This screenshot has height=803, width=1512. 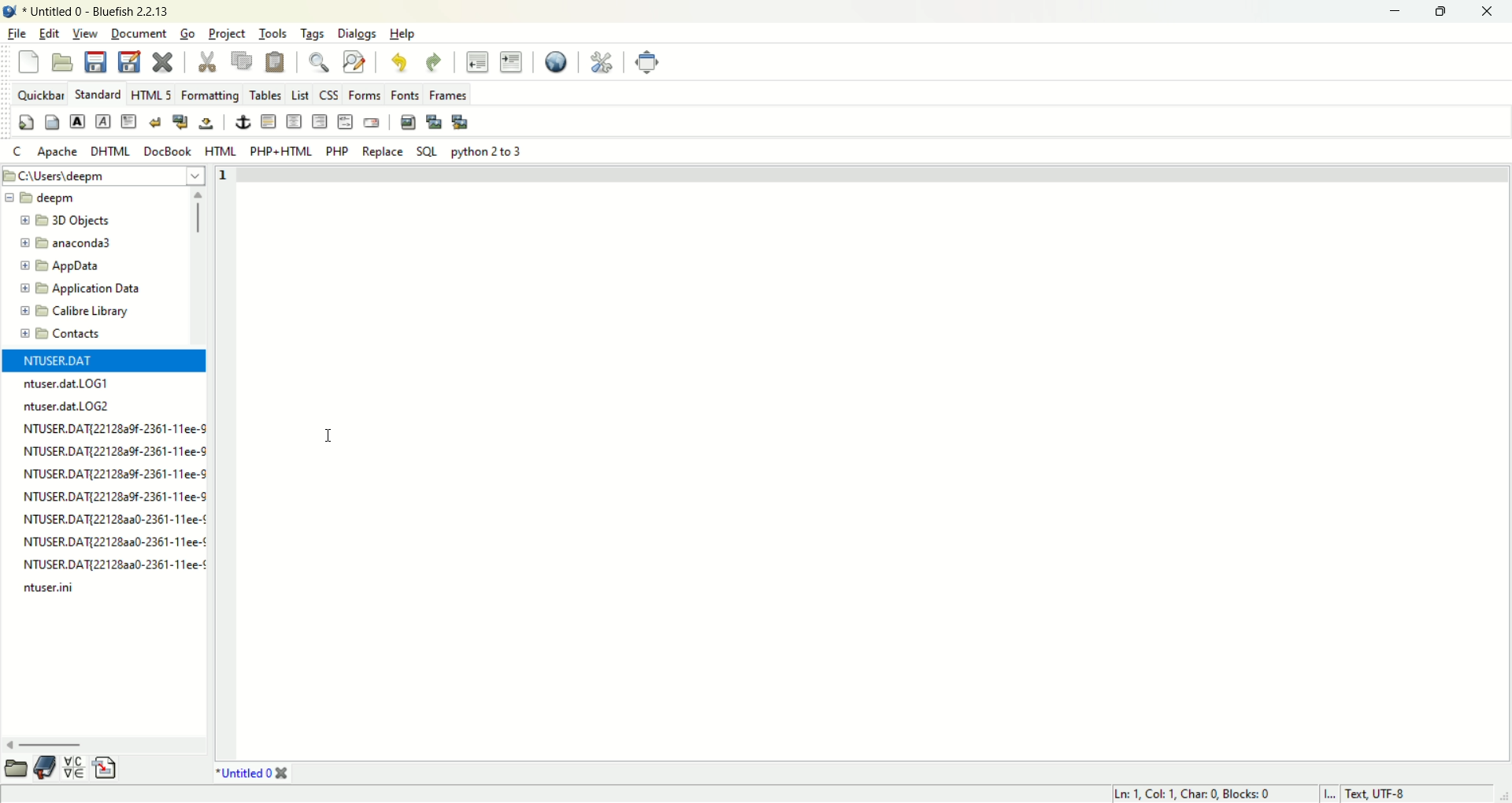 What do you see at coordinates (65, 335) in the screenshot?
I see `folder name` at bounding box center [65, 335].